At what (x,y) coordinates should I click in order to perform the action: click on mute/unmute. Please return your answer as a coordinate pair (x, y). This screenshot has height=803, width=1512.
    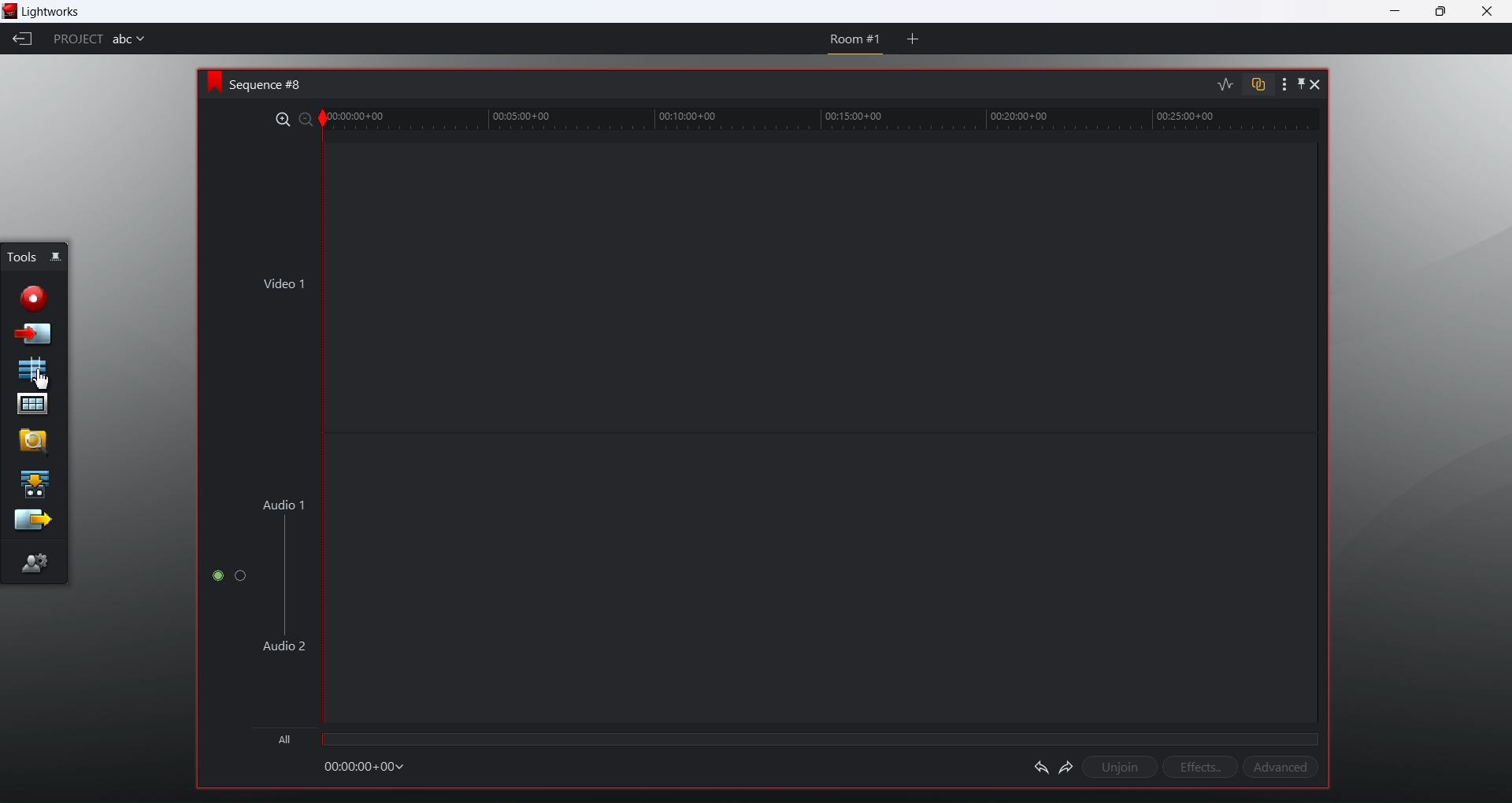
    Looking at the image, I should click on (214, 577).